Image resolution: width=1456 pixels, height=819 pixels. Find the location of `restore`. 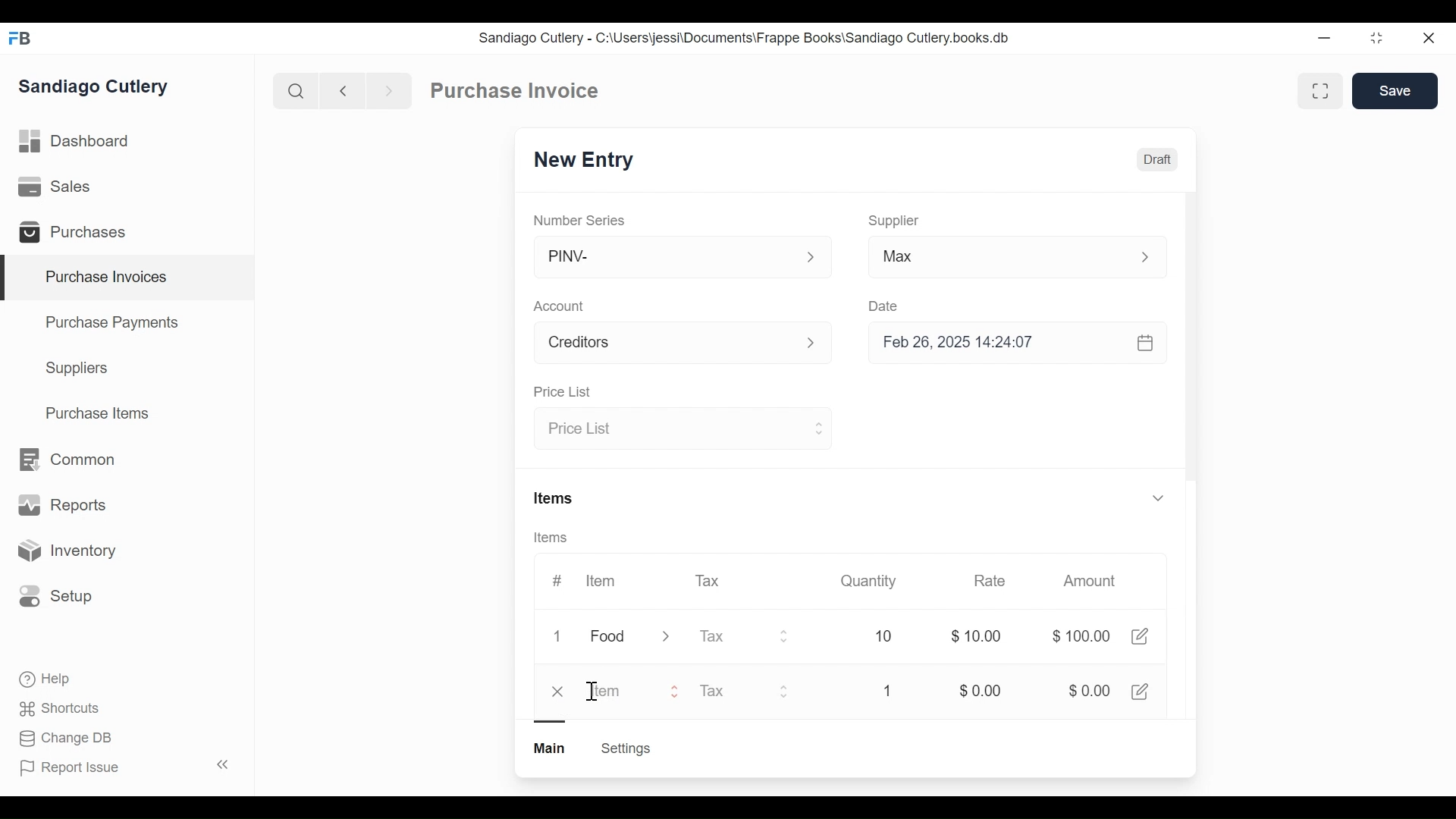

restore is located at coordinates (1375, 39).